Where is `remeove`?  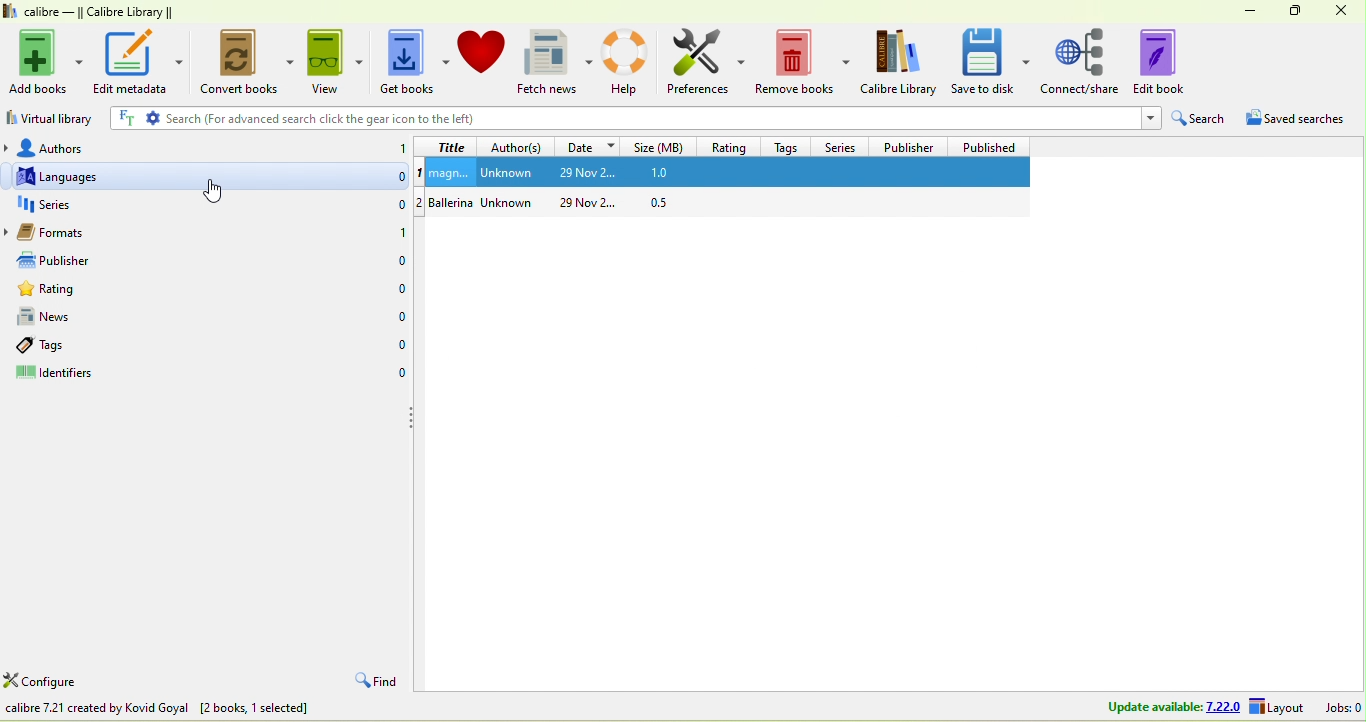 remeove is located at coordinates (802, 63).